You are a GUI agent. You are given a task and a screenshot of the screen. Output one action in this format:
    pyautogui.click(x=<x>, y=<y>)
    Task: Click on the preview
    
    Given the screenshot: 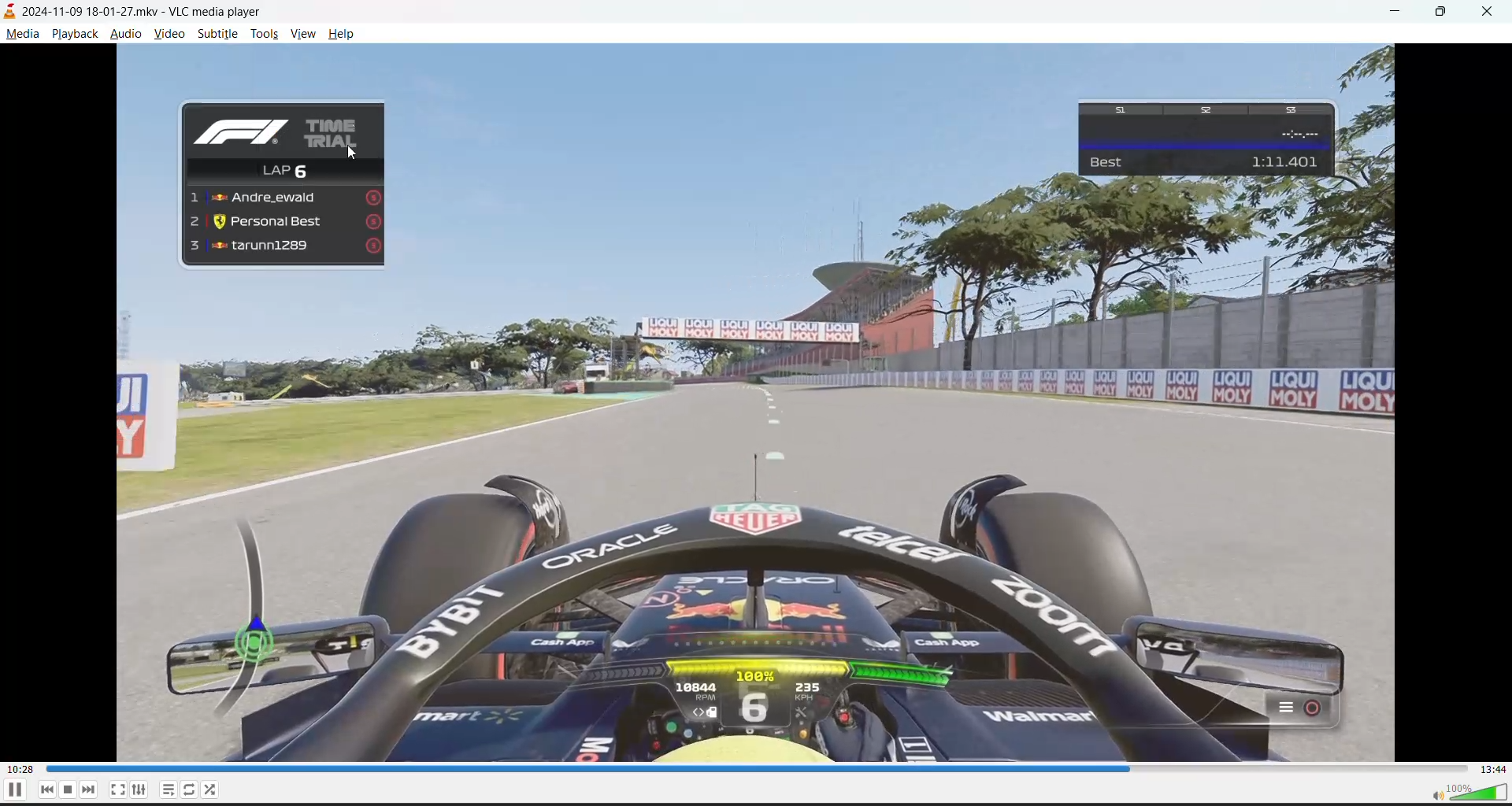 What is the action you would take?
    pyautogui.click(x=789, y=288)
    